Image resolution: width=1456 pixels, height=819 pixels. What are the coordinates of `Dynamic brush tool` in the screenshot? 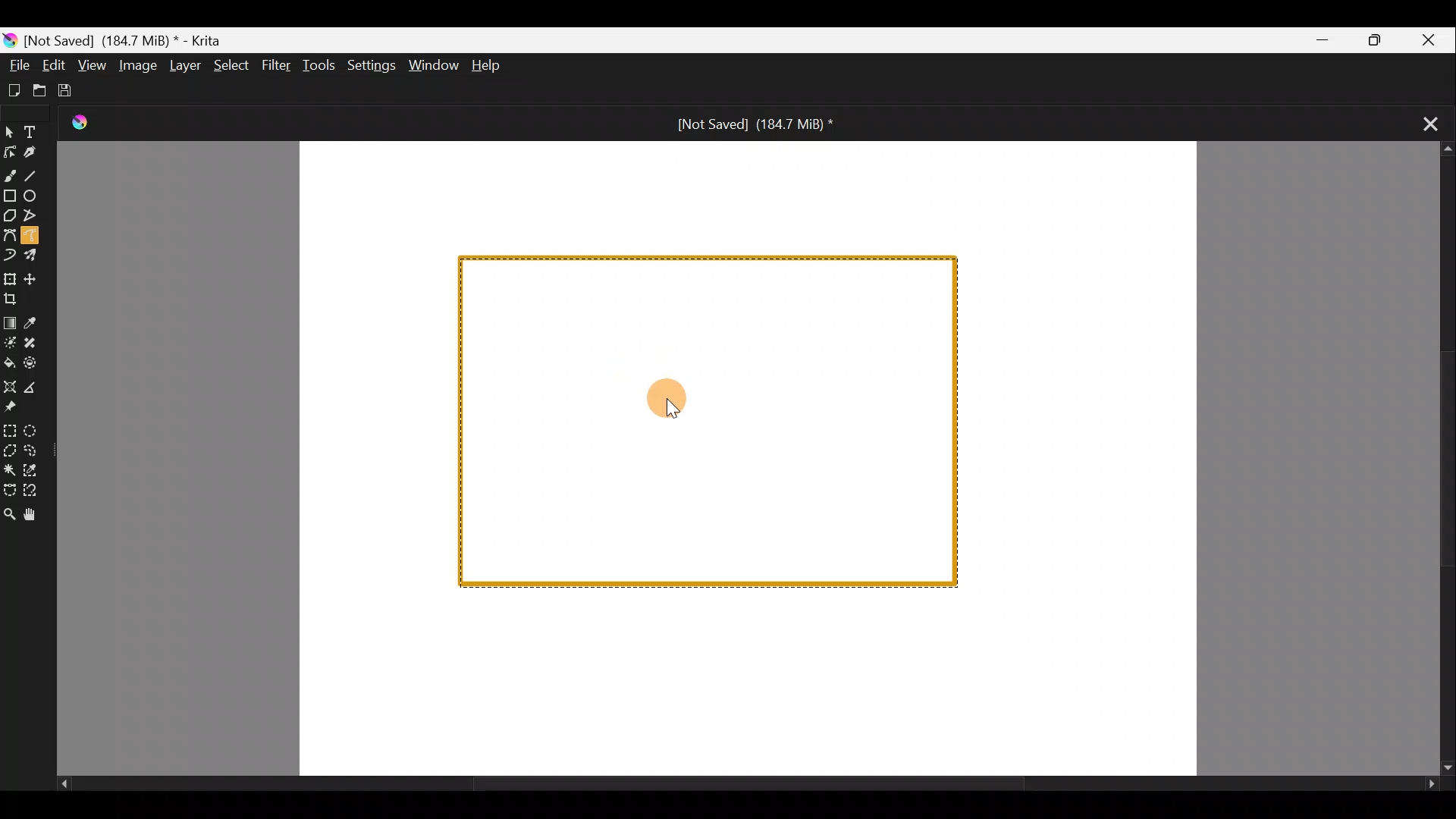 It's located at (10, 256).